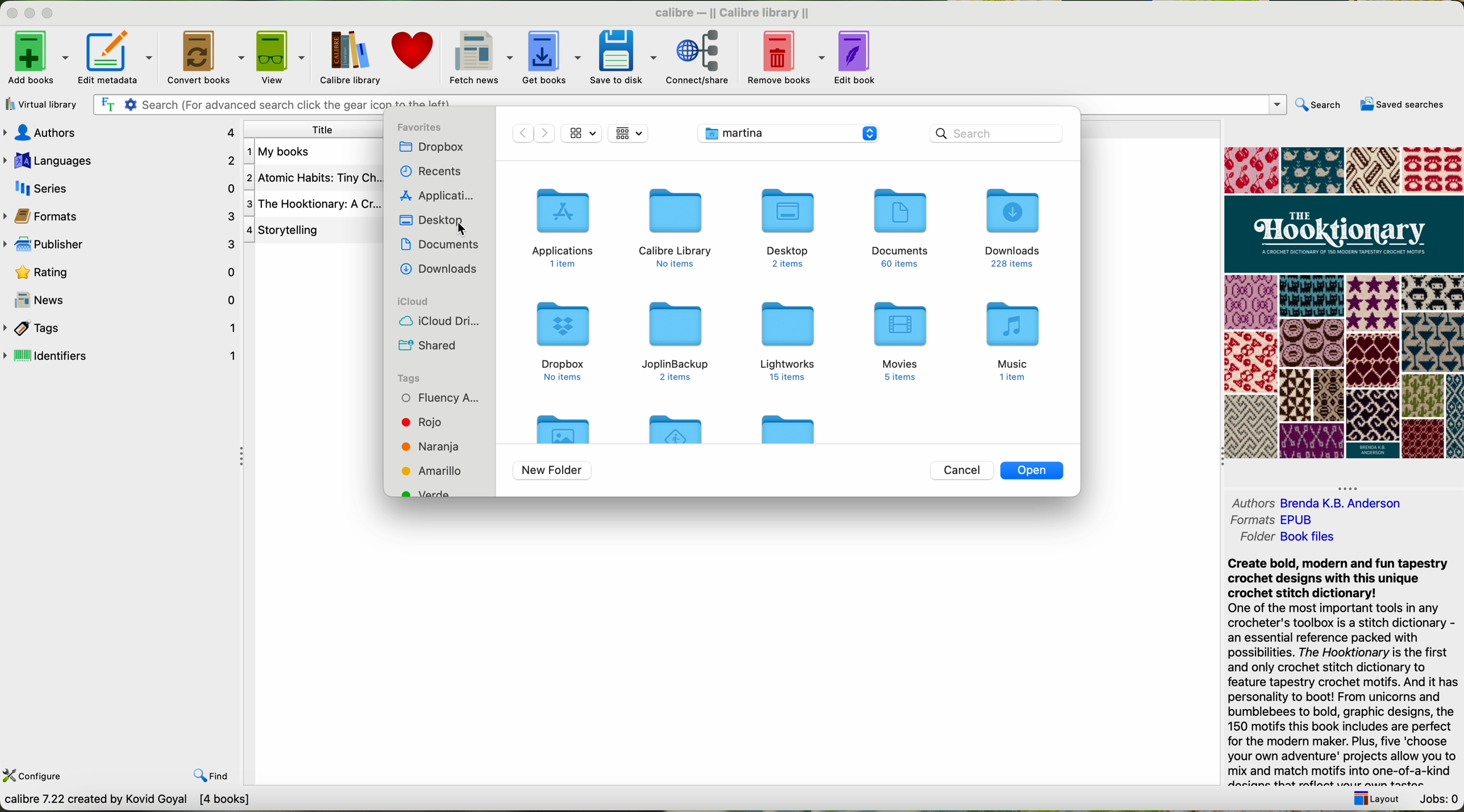 The height and width of the screenshot is (812, 1464). I want to click on search, so click(1319, 106).